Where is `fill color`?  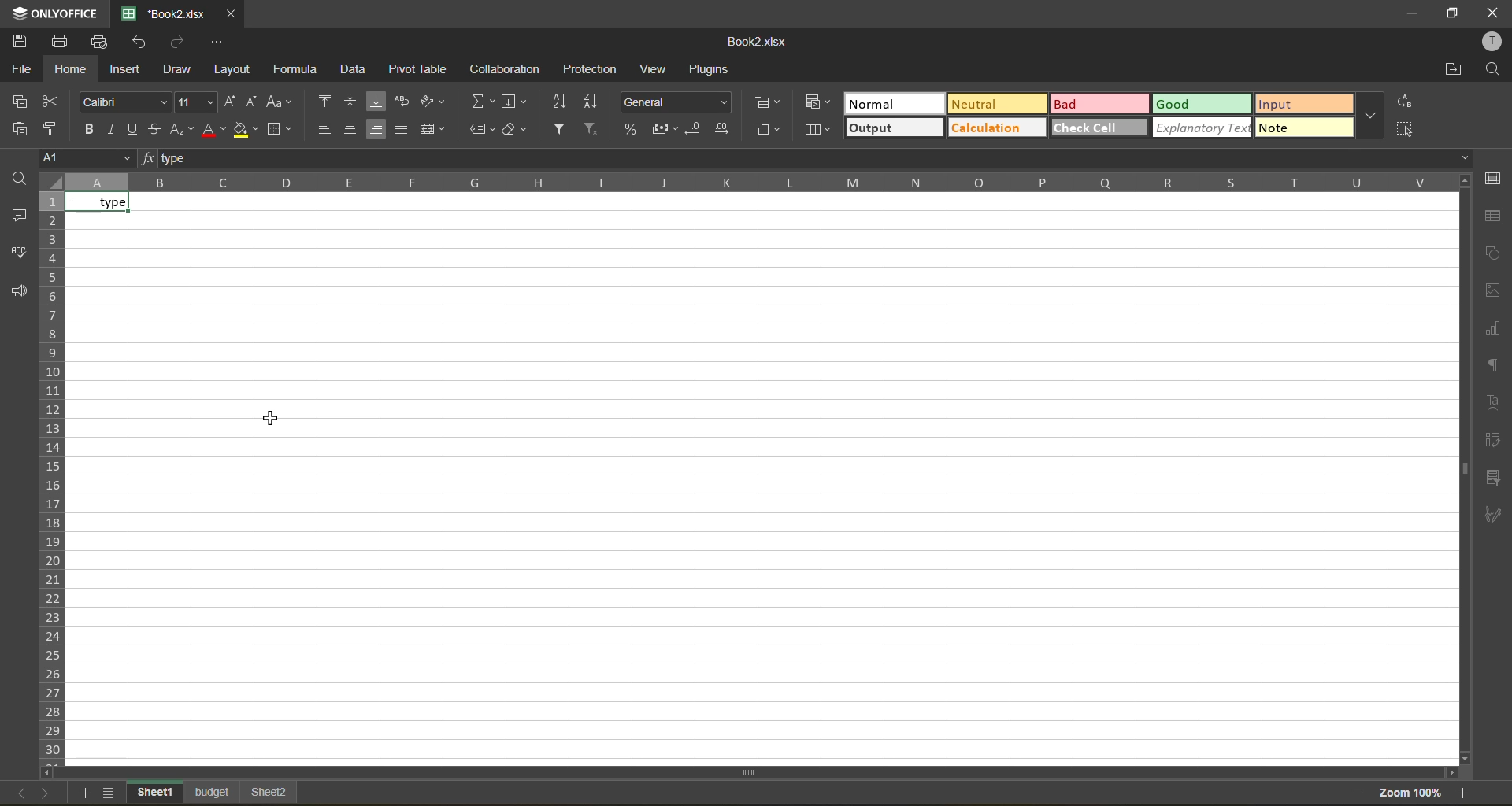 fill color is located at coordinates (245, 131).